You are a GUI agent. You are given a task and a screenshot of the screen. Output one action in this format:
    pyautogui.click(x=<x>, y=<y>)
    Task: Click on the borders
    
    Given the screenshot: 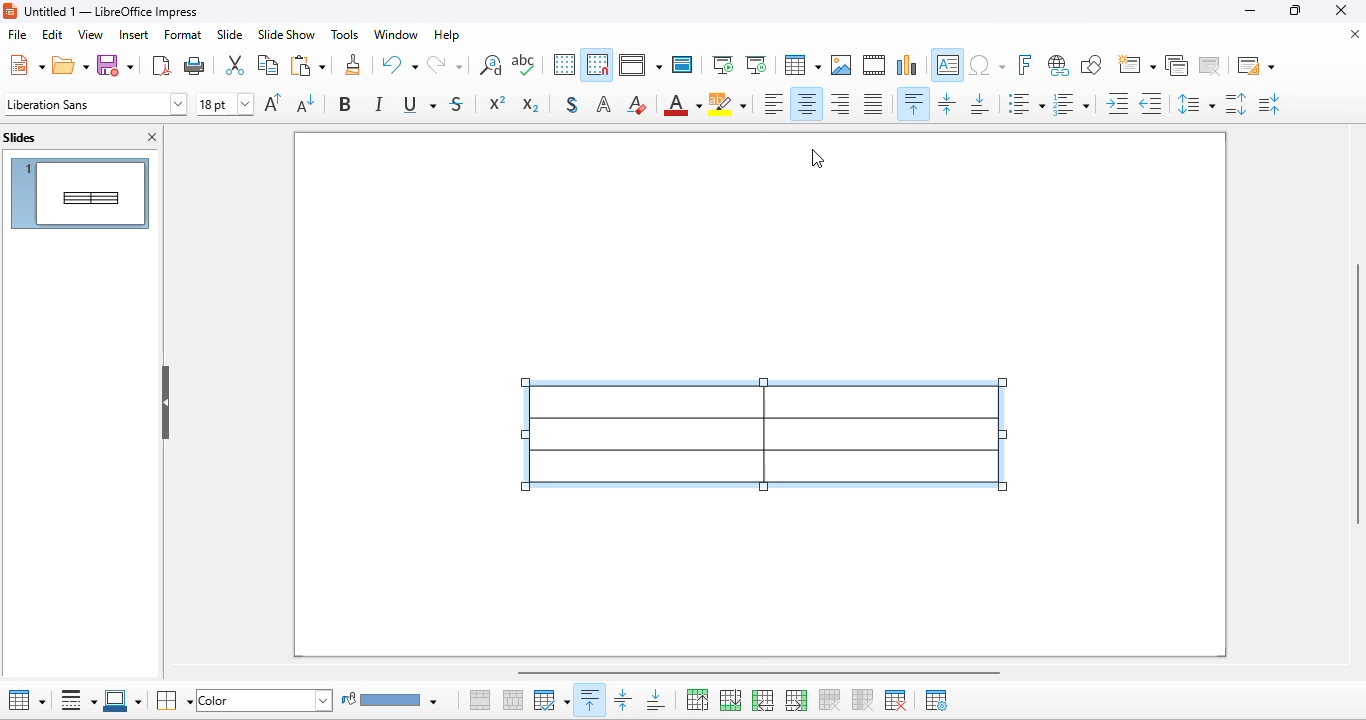 What is the action you would take?
    pyautogui.click(x=174, y=700)
    